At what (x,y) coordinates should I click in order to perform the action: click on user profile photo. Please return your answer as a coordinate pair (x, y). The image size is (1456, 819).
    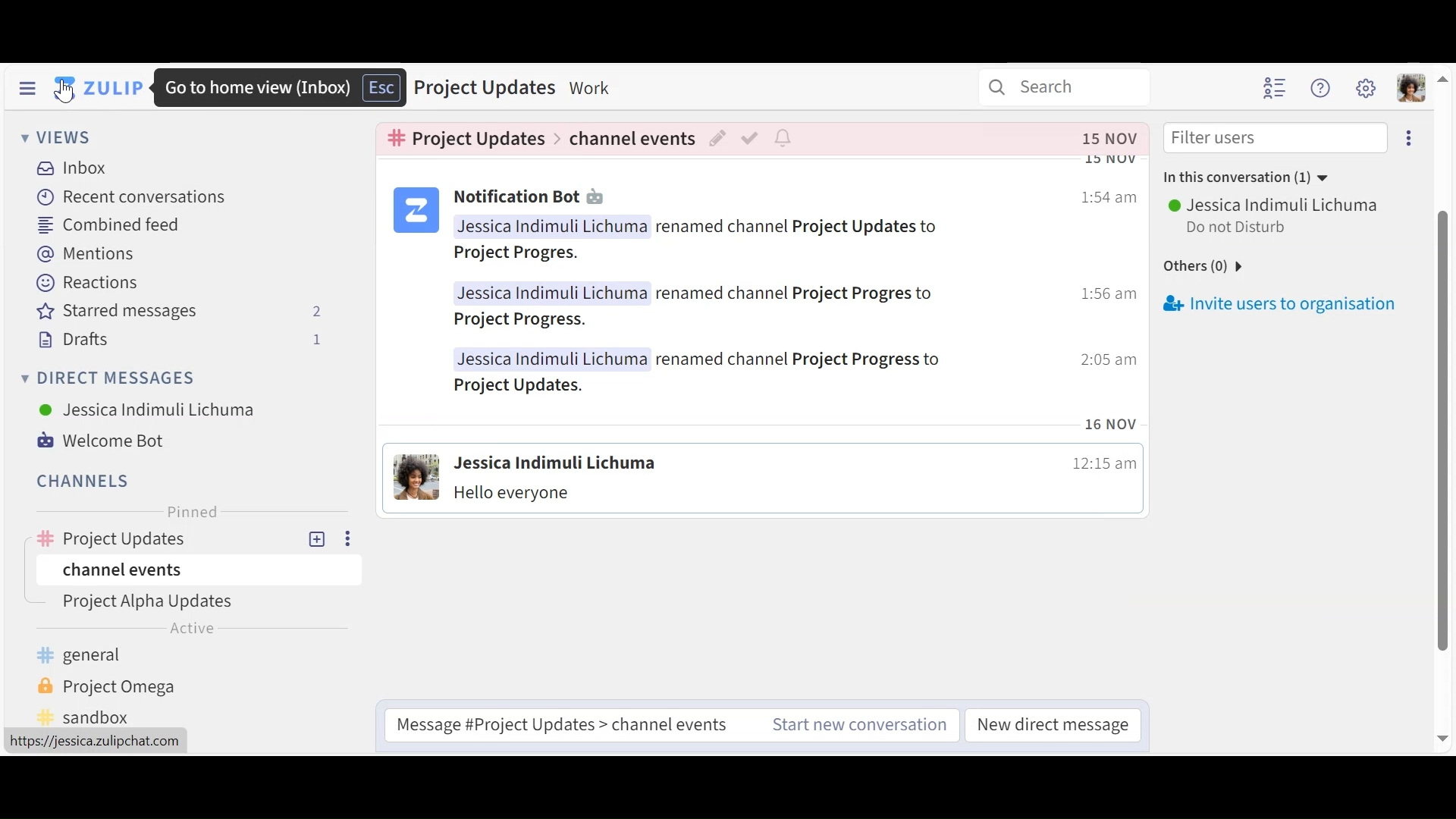
    Looking at the image, I should click on (416, 478).